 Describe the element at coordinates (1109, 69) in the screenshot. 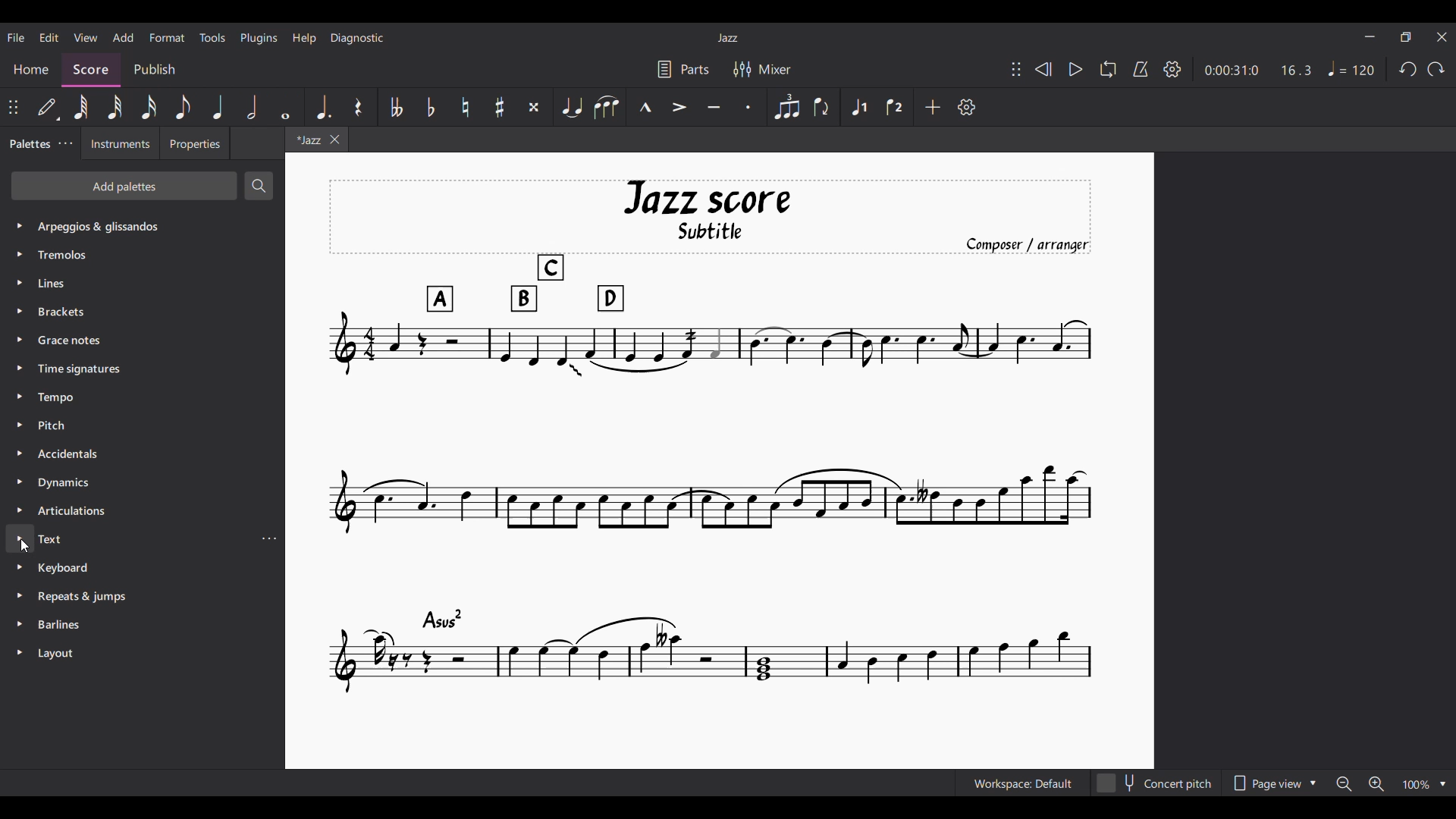

I see `Loop playback` at that location.